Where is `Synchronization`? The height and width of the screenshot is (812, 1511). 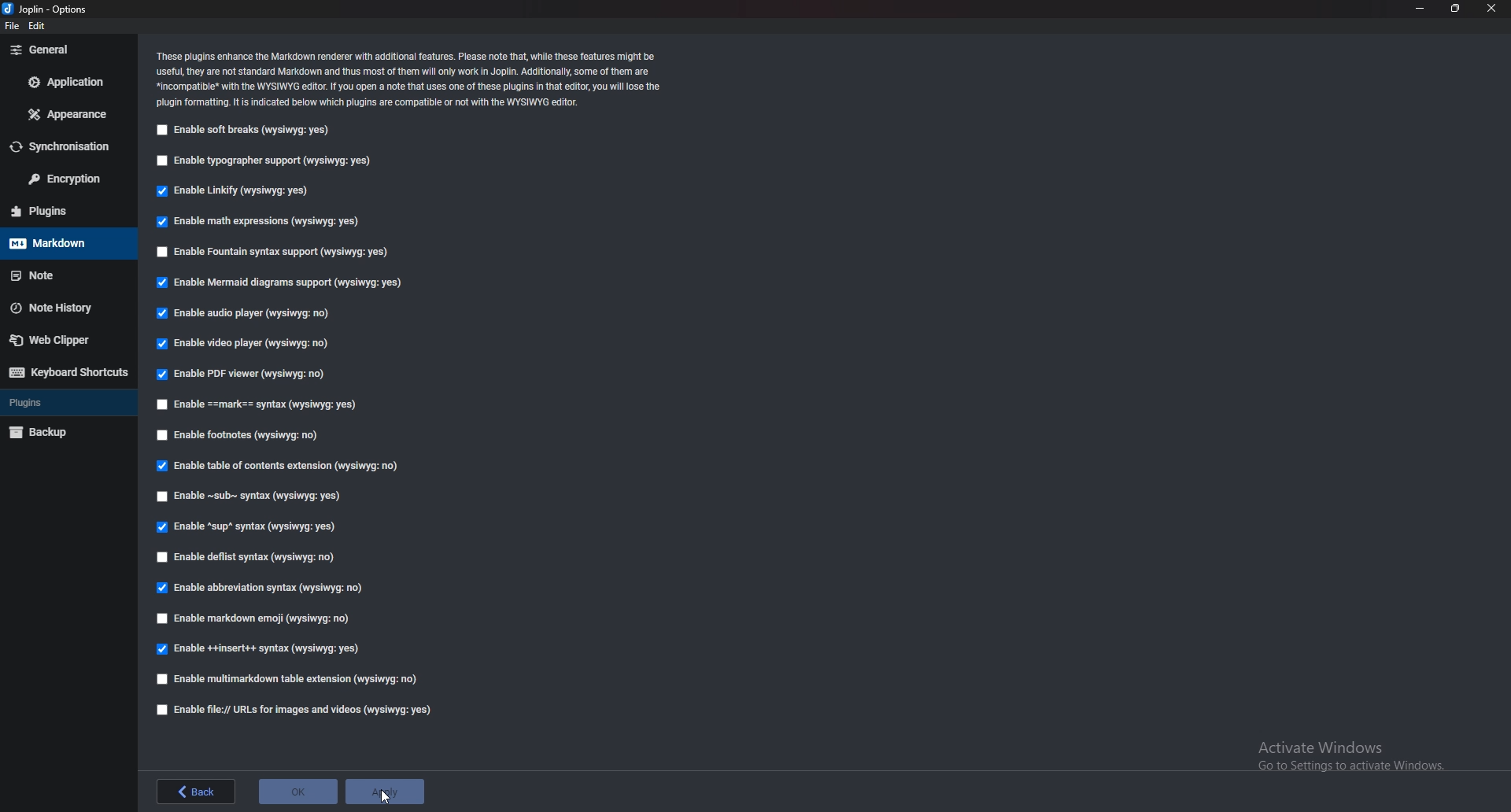 Synchronization is located at coordinates (68, 148).